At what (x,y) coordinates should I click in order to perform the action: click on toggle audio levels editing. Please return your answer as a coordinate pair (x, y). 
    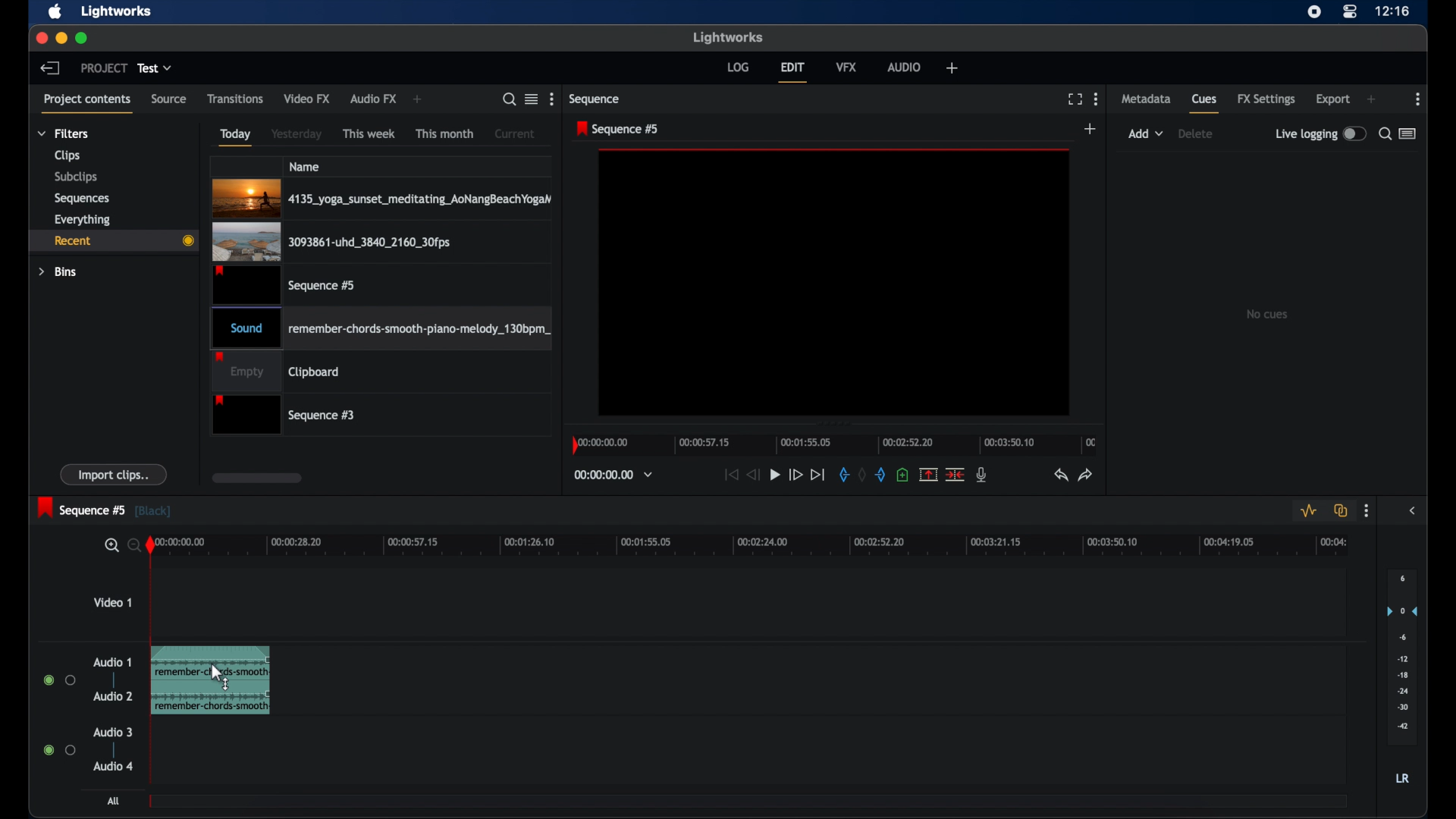
    Looking at the image, I should click on (1307, 510).